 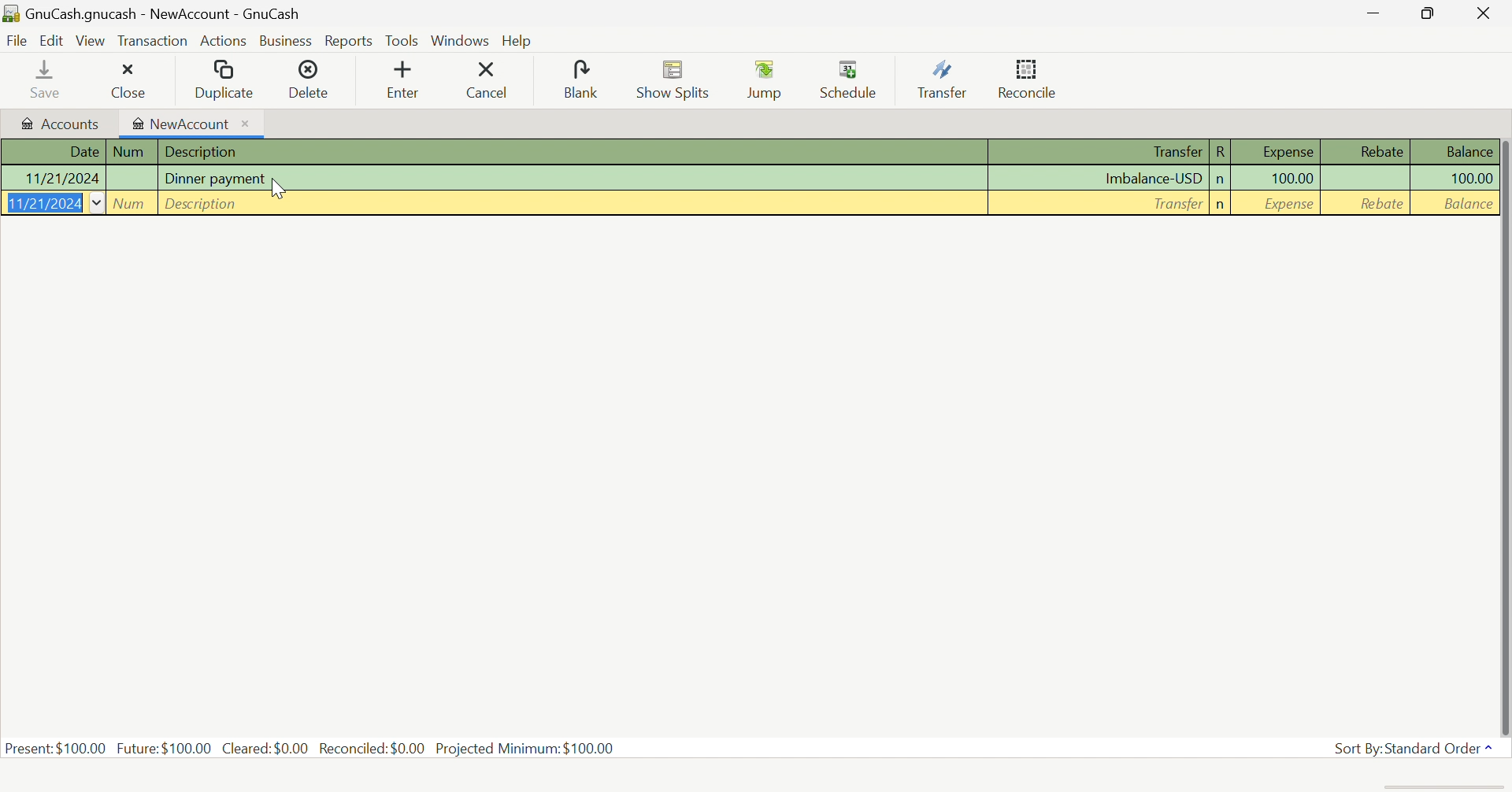 I want to click on Expense, so click(x=1281, y=152).